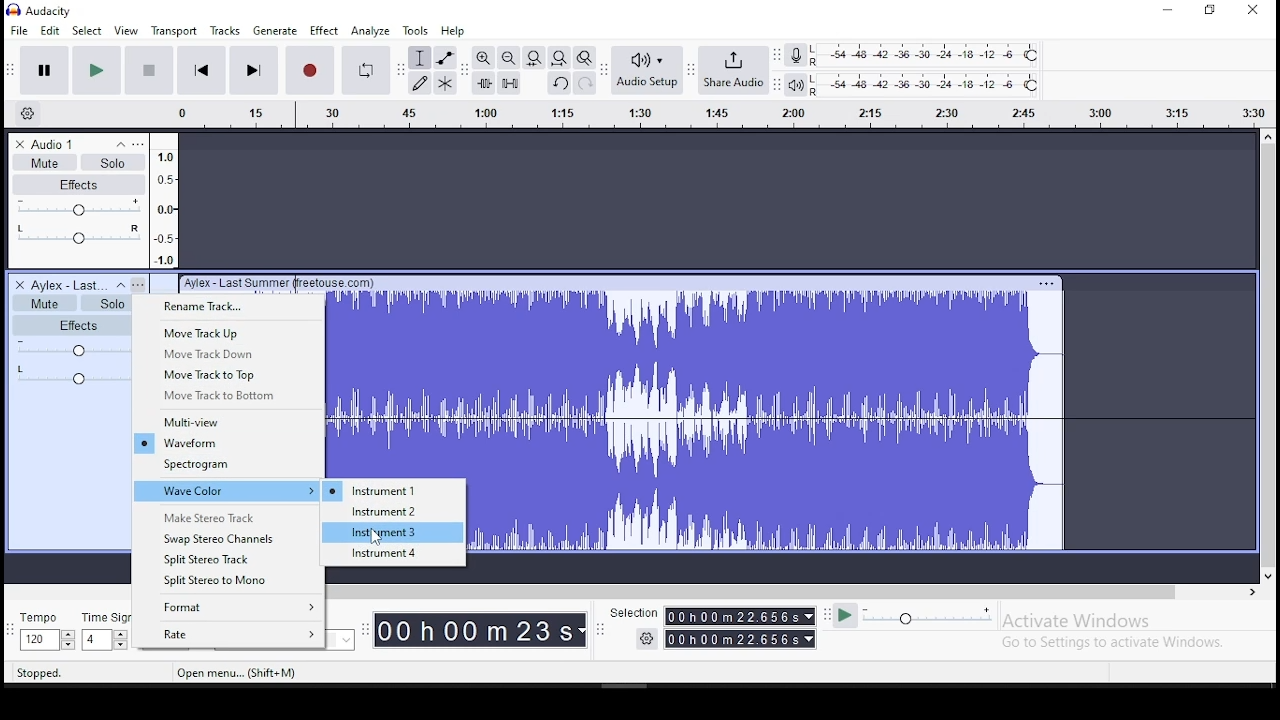 The image size is (1280, 720). I want to click on close window, so click(1256, 9).